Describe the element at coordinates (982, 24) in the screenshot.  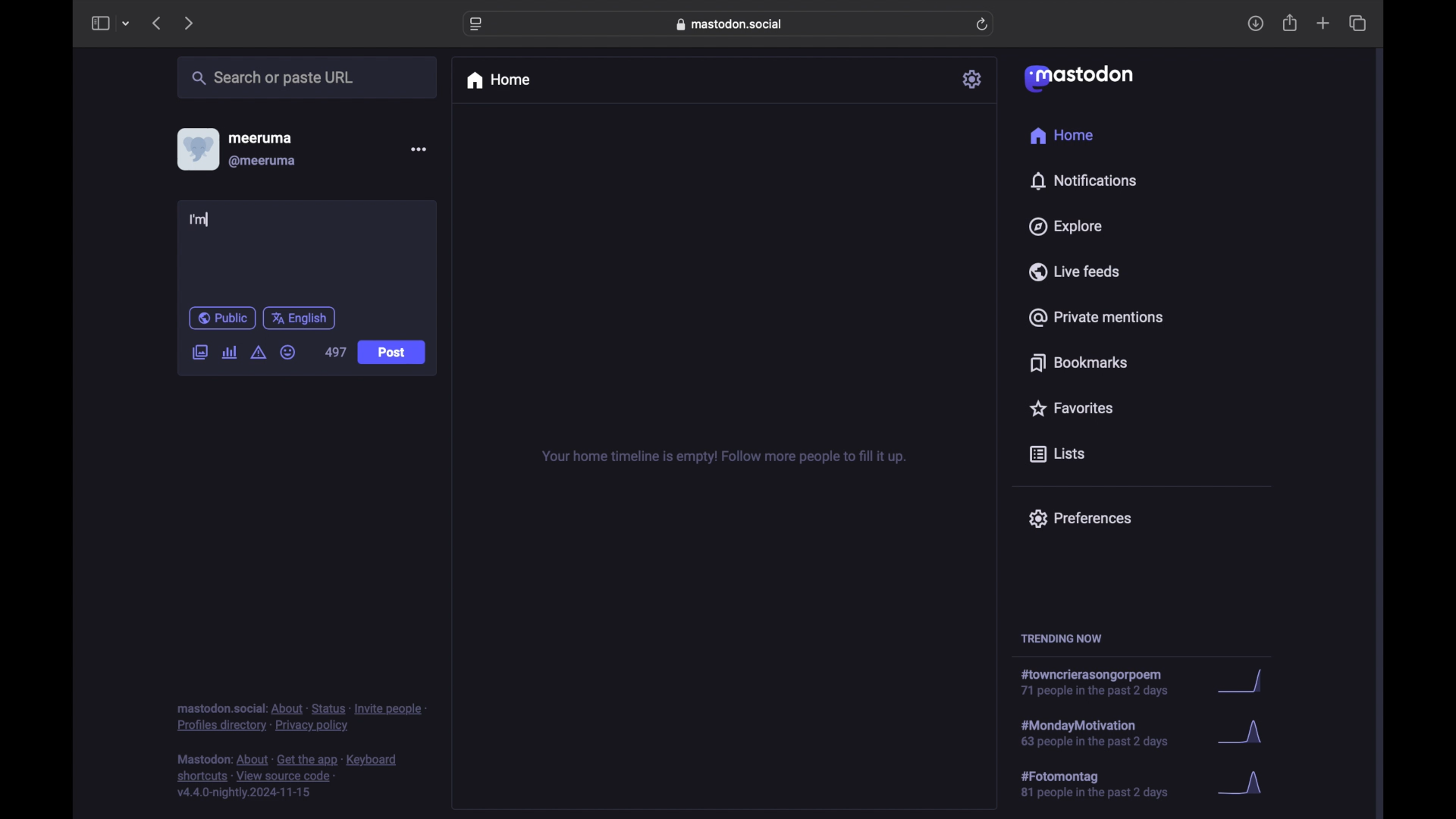
I see `refresh` at that location.